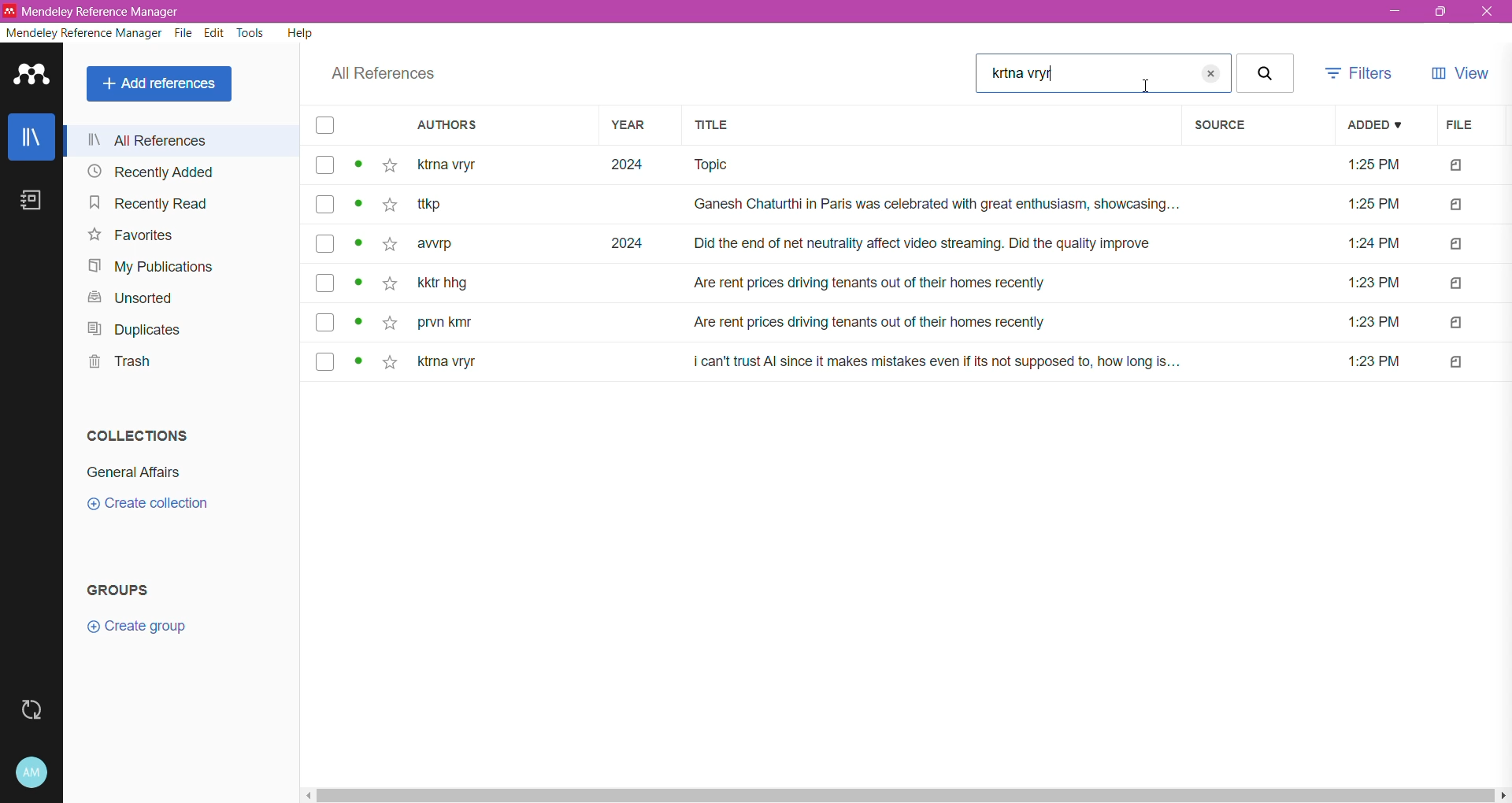  I want to click on Cursor, so click(1149, 87).